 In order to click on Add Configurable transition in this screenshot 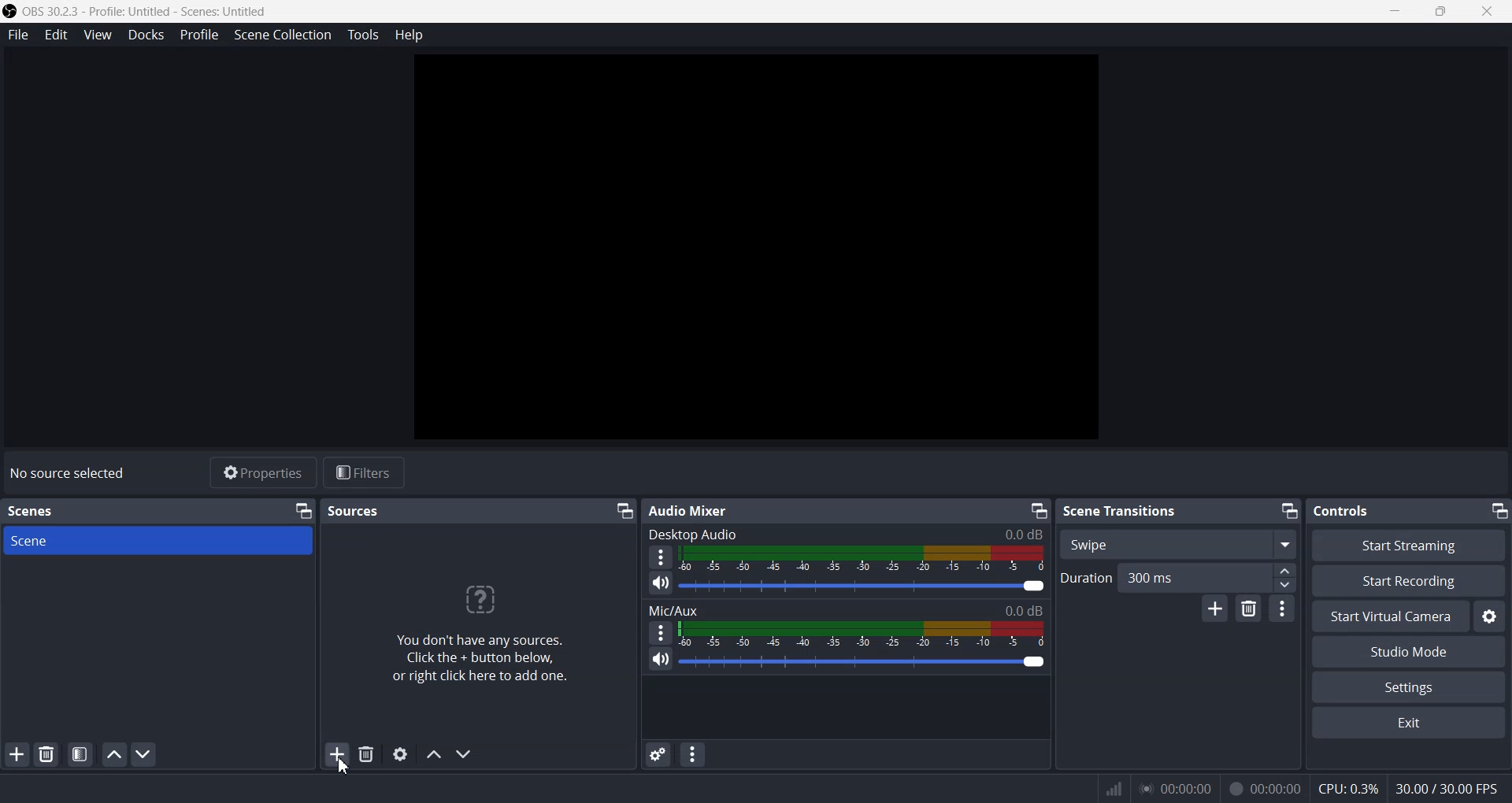, I will do `click(1214, 609)`.